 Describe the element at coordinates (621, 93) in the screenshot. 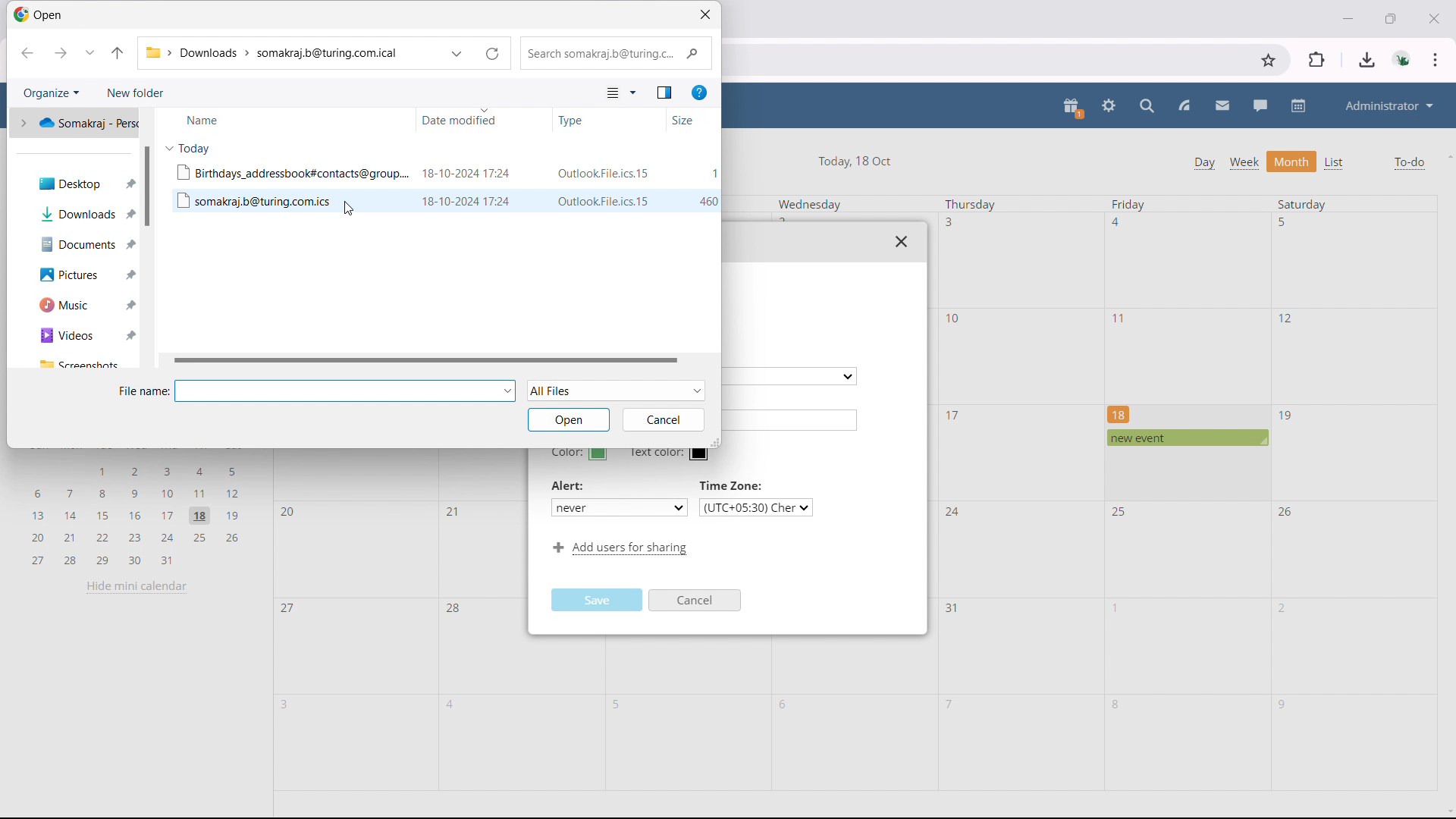

I see `change view` at that location.